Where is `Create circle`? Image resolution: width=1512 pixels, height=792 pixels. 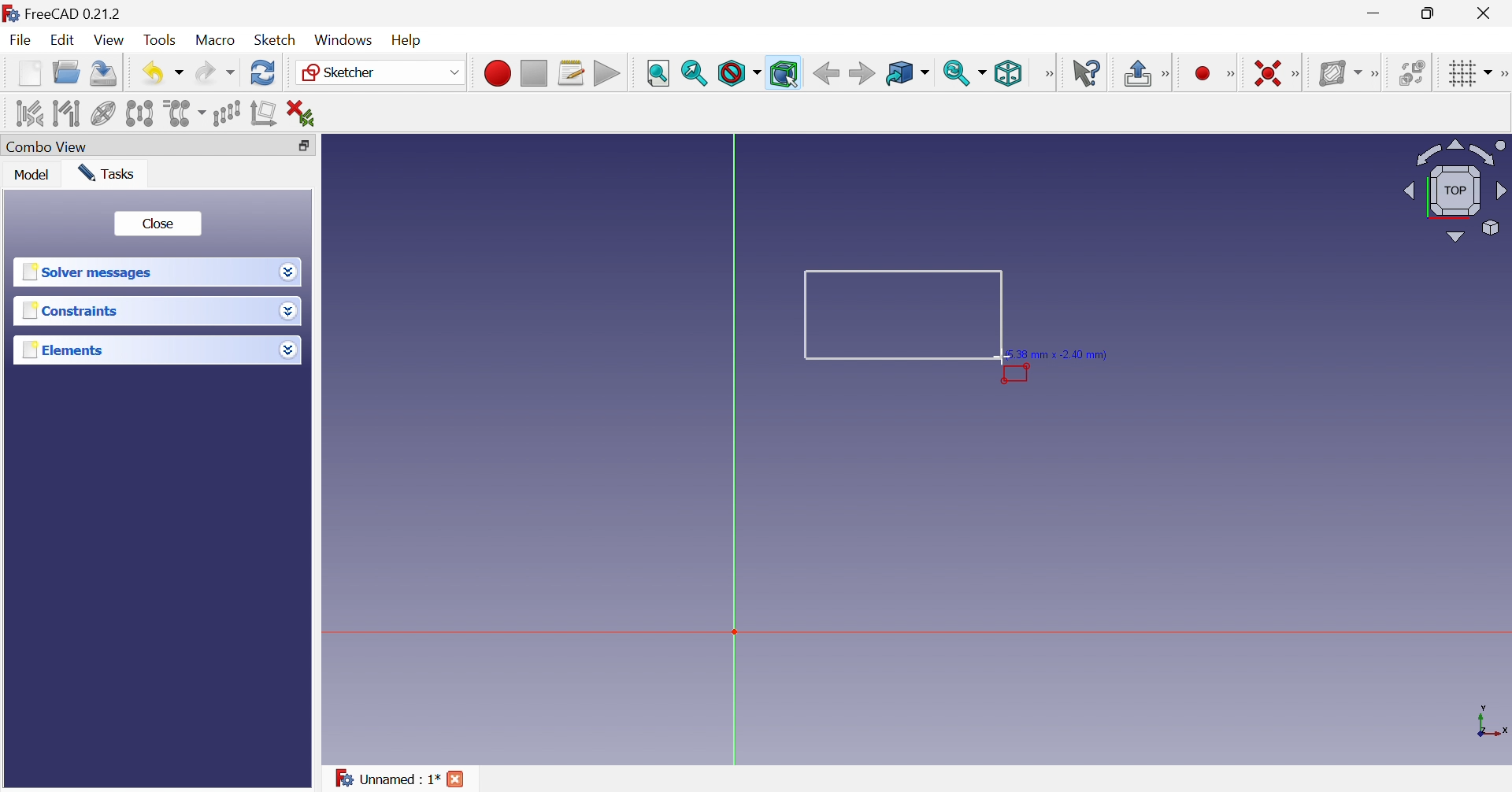 Create circle is located at coordinates (1203, 74).